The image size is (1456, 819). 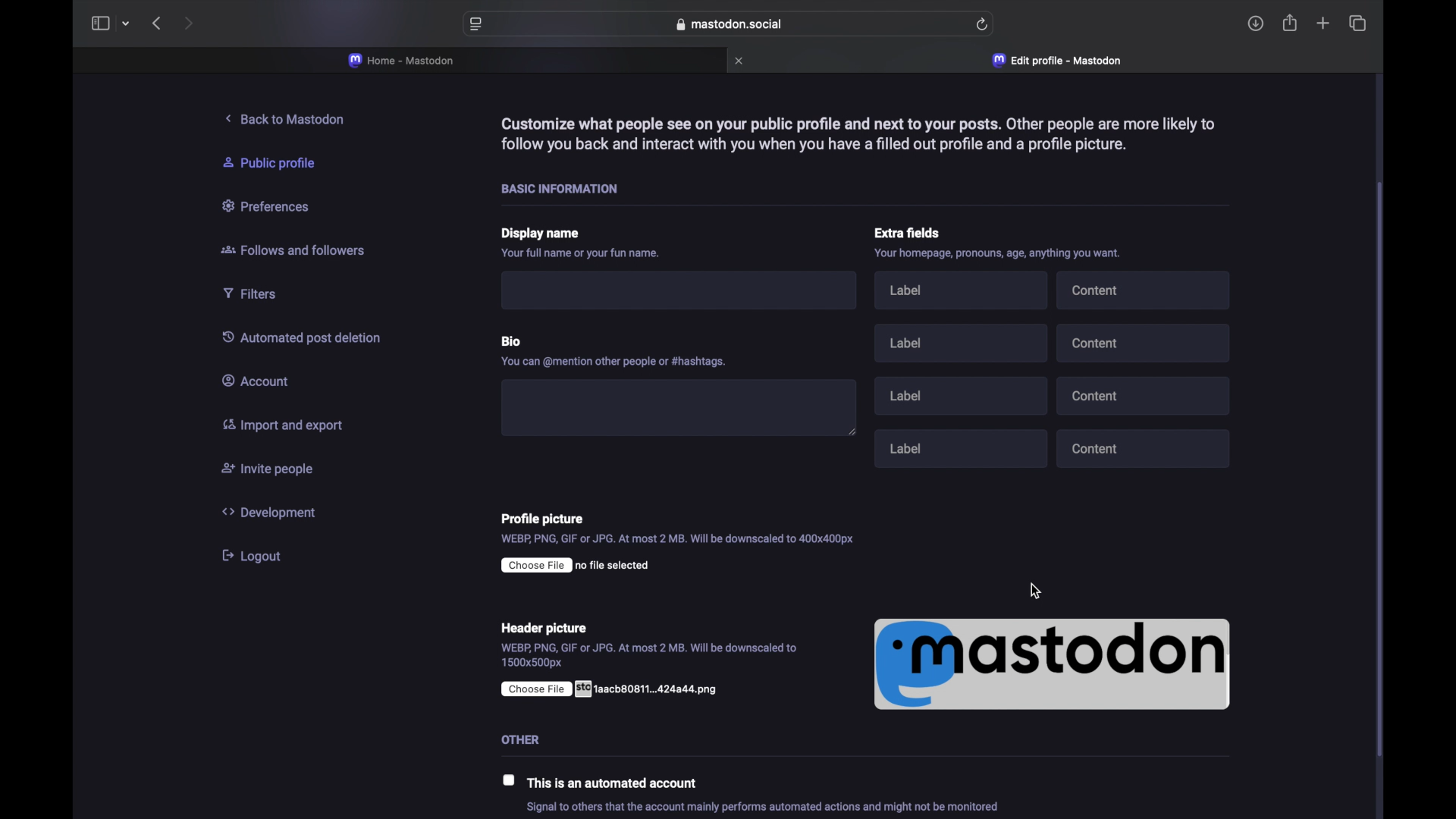 What do you see at coordinates (515, 337) in the screenshot?
I see `bio` at bounding box center [515, 337].